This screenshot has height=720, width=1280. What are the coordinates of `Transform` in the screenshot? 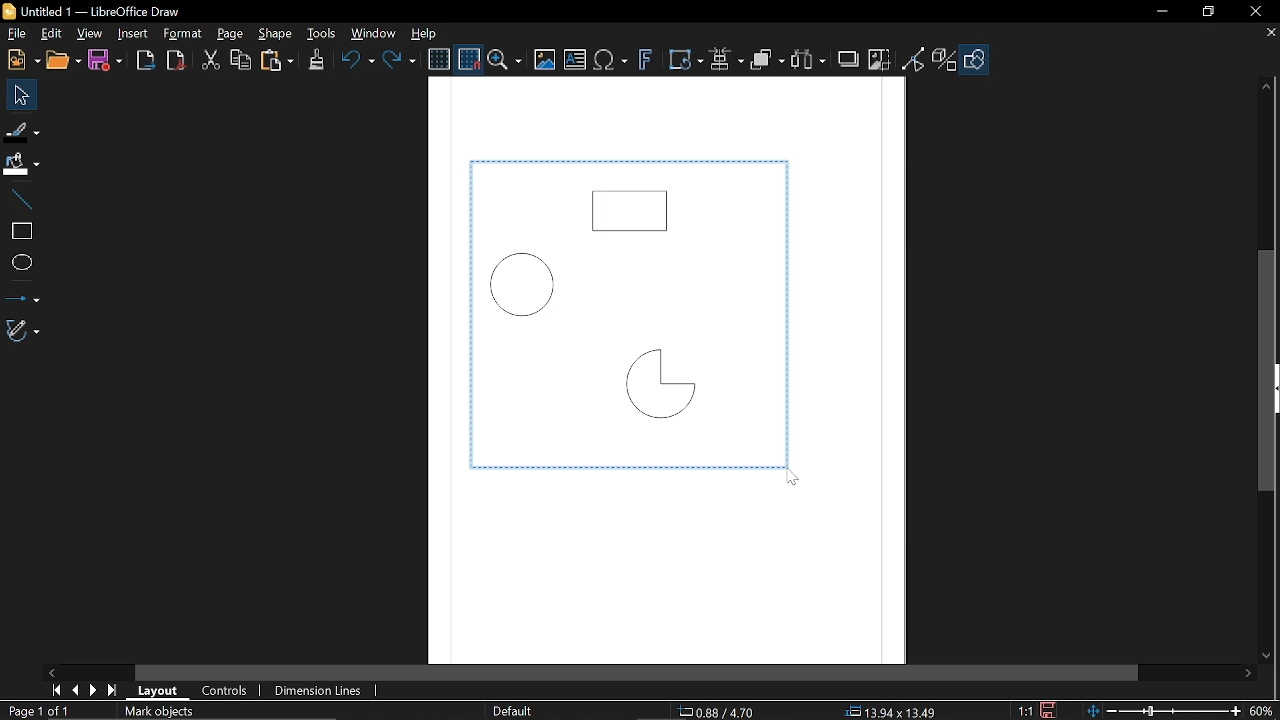 It's located at (686, 60).